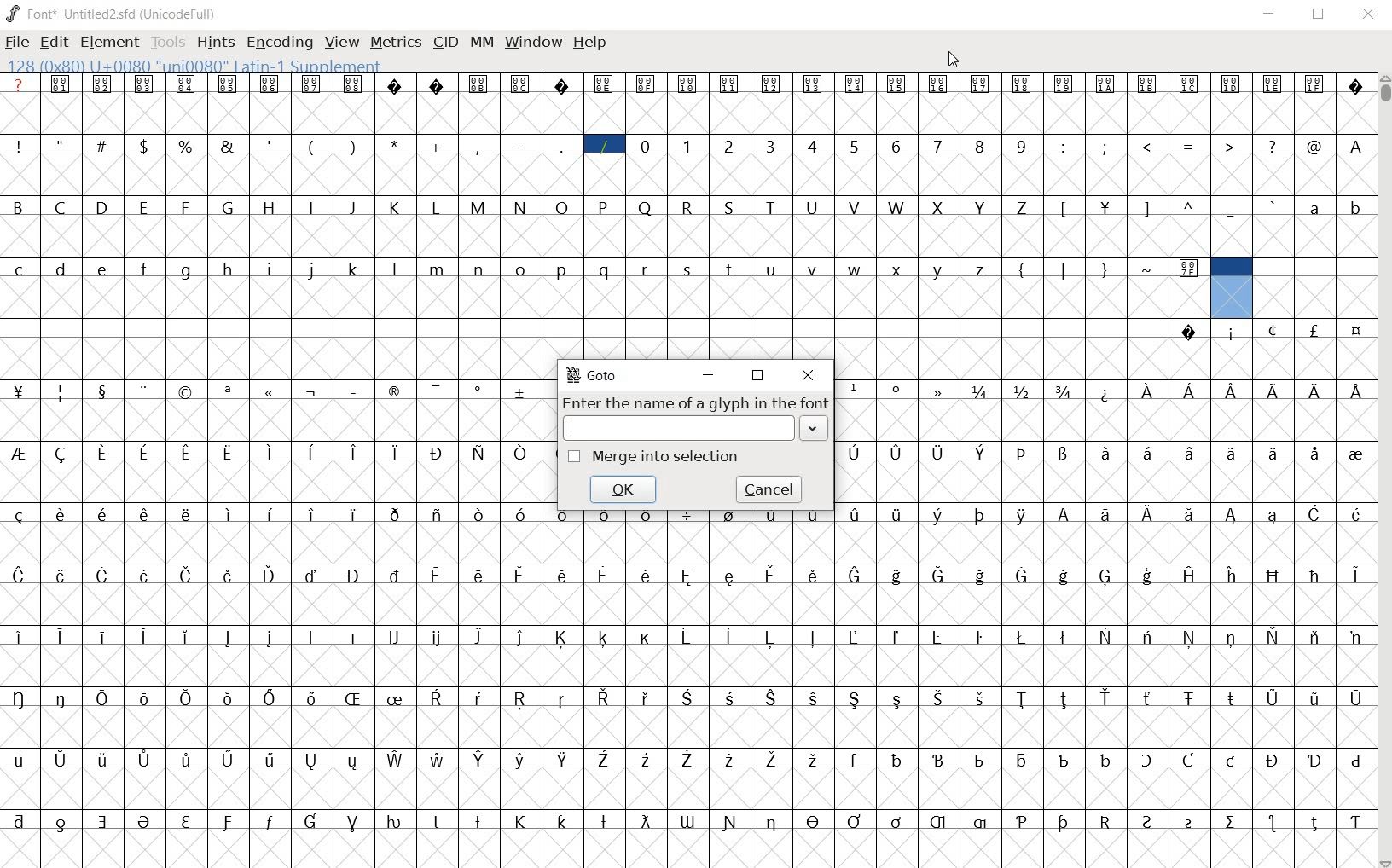  Describe the element at coordinates (1064, 85) in the screenshot. I see `Symbol` at that location.